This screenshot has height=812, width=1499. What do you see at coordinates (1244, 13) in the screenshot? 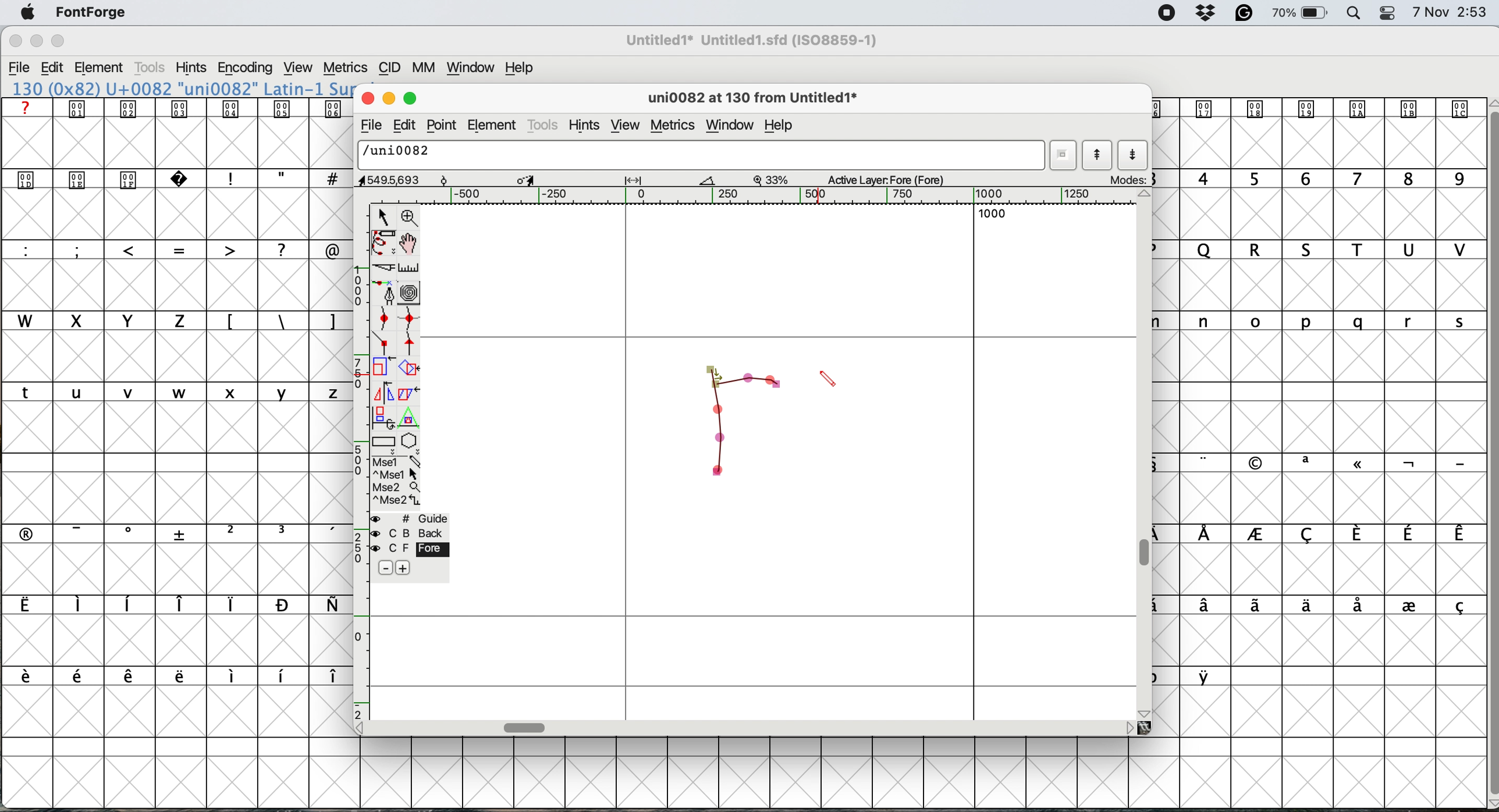
I see `grammarly` at bounding box center [1244, 13].